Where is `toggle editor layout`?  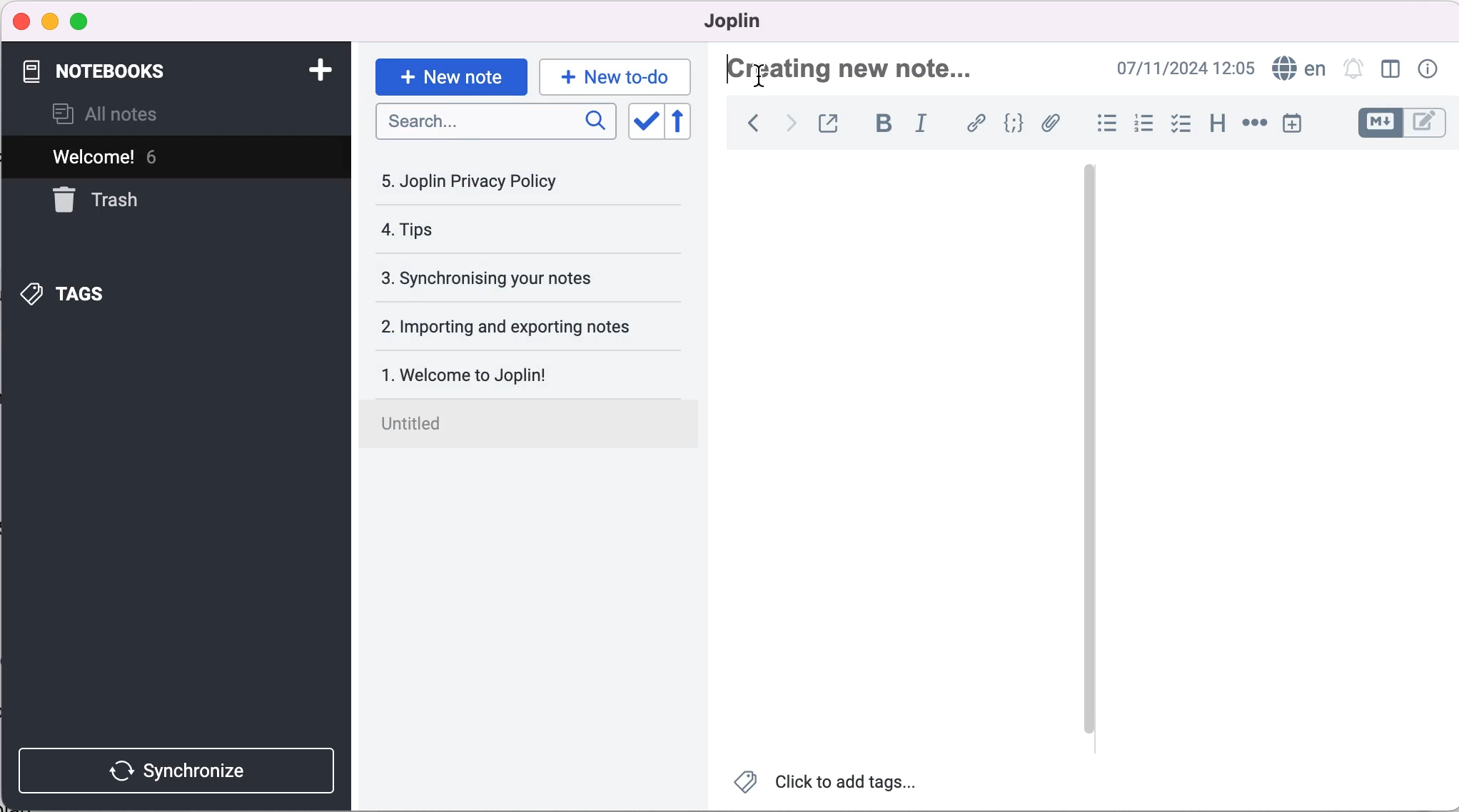
toggle editor layout is located at coordinates (1390, 69).